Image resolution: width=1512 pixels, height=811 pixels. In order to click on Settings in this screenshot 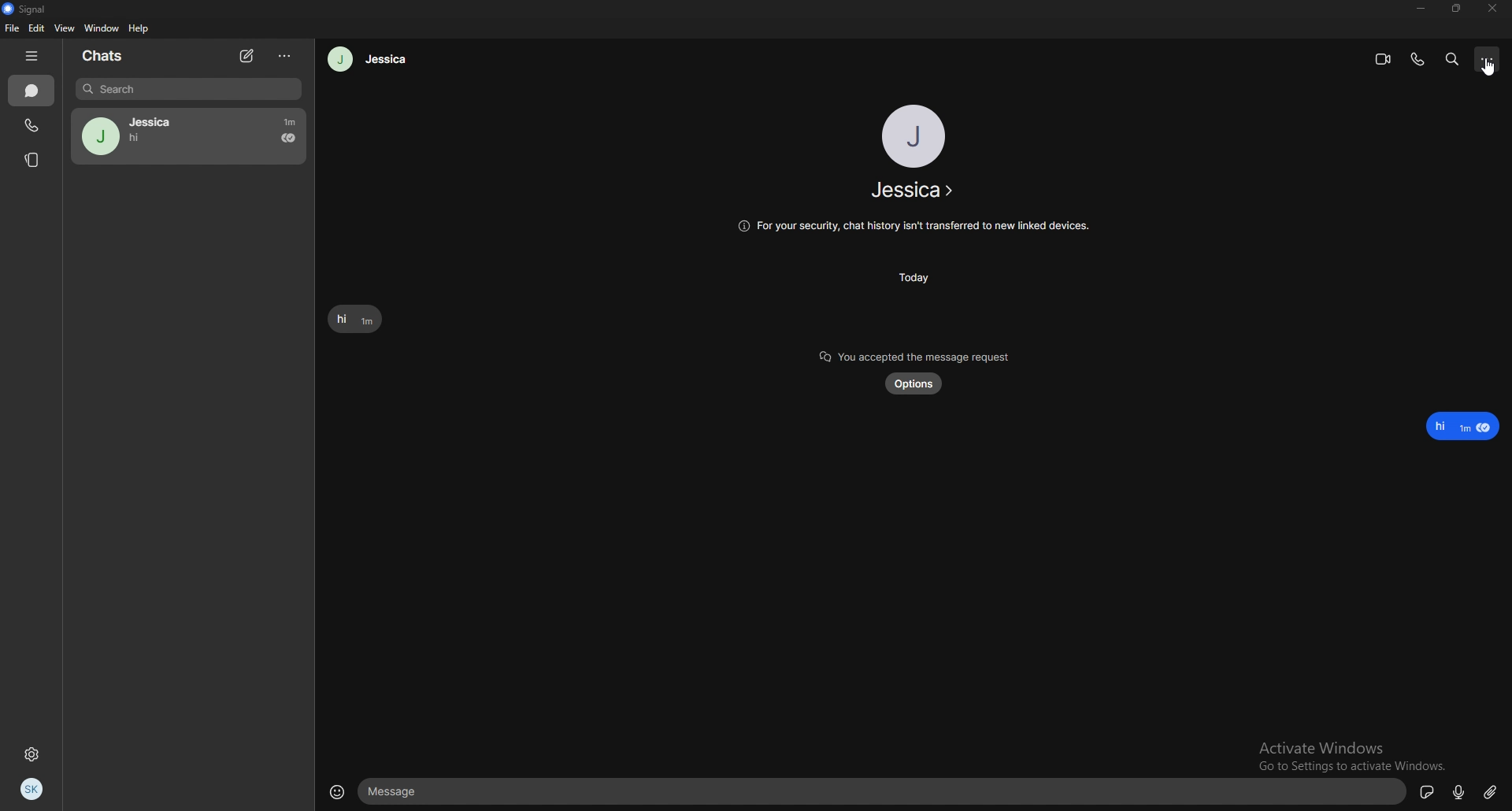, I will do `click(35, 754)`.